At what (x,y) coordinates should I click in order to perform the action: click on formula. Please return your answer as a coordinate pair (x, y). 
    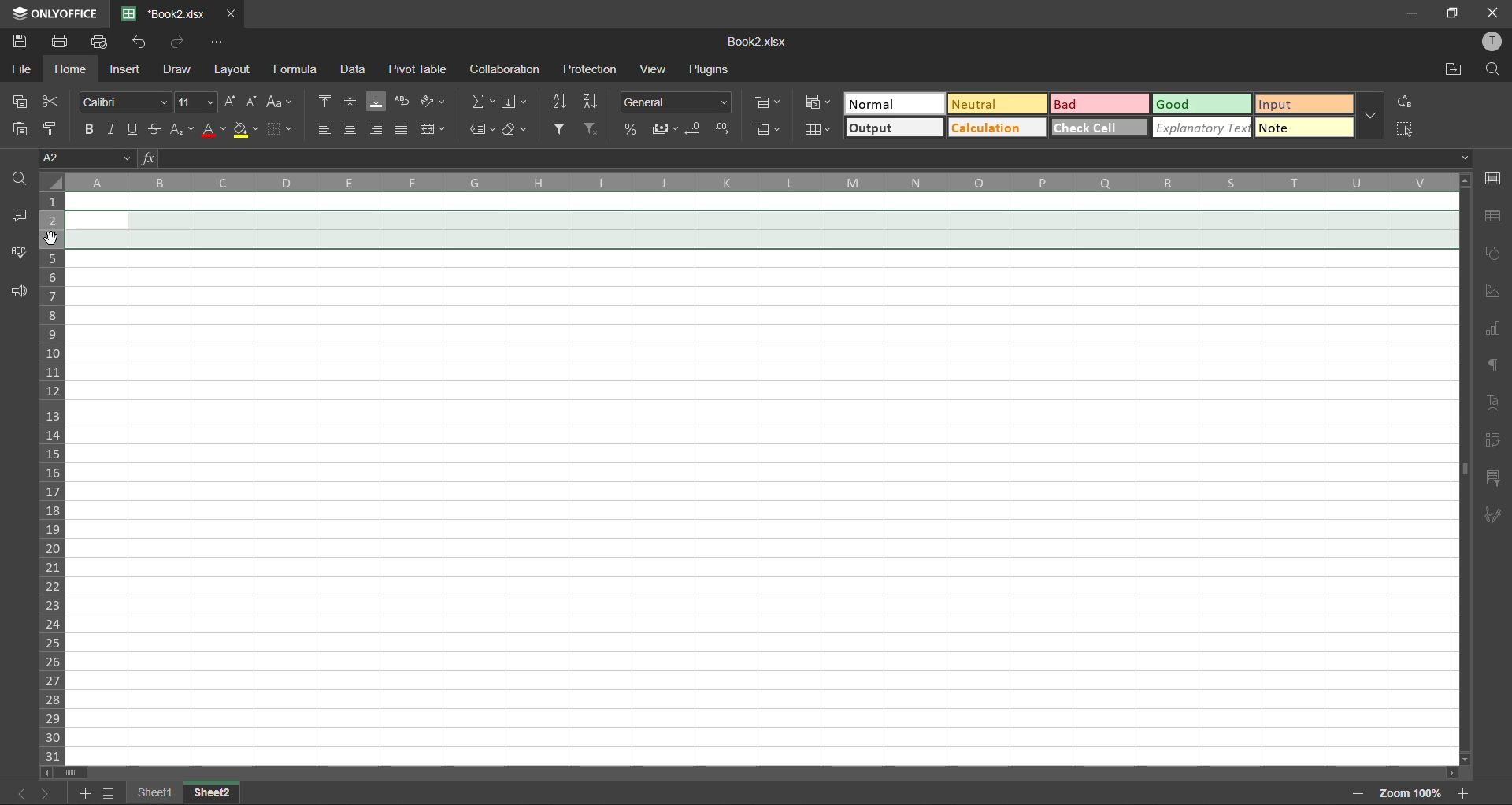
    Looking at the image, I should click on (299, 72).